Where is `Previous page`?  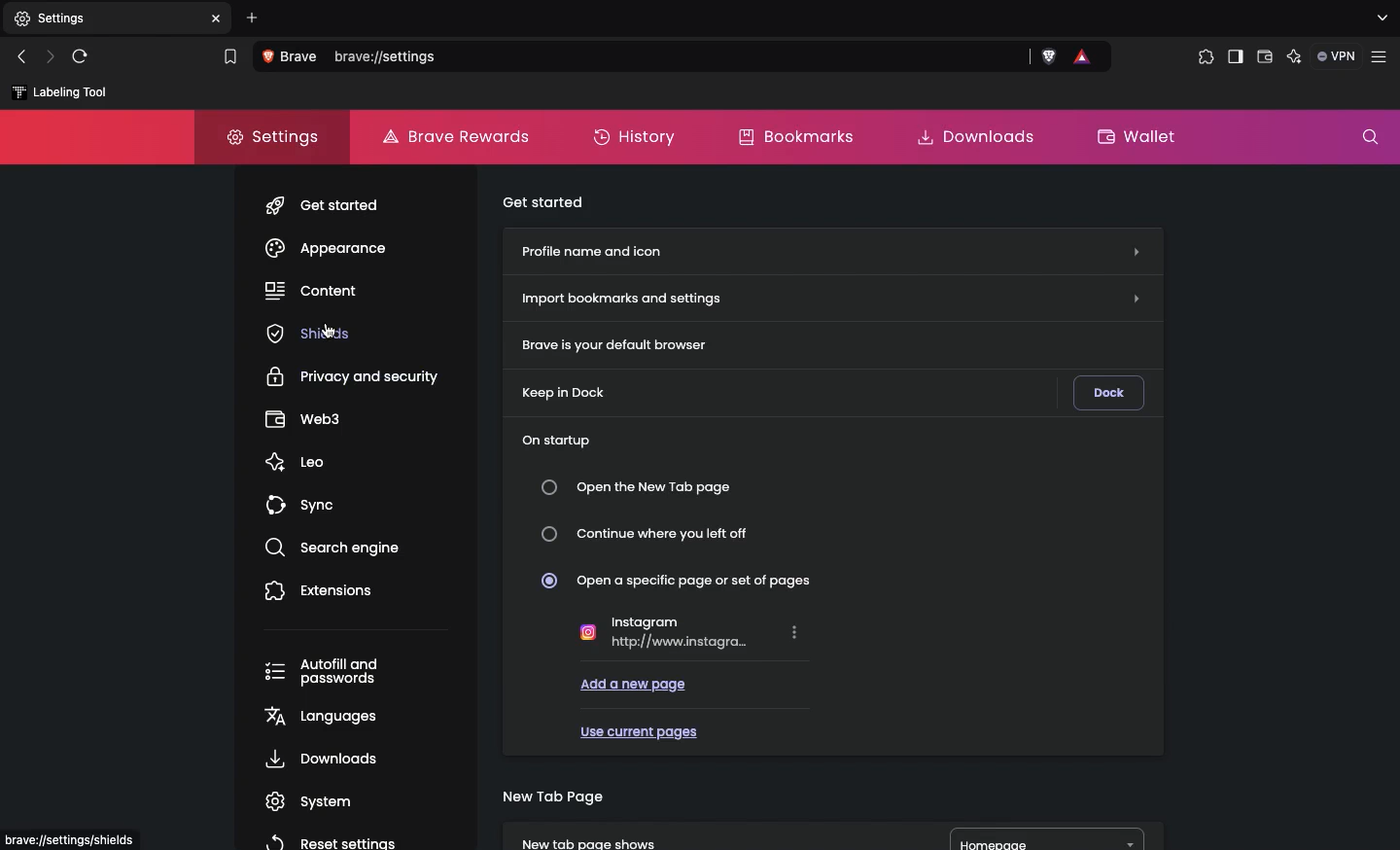 Previous page is located at coordinates (24, 58).